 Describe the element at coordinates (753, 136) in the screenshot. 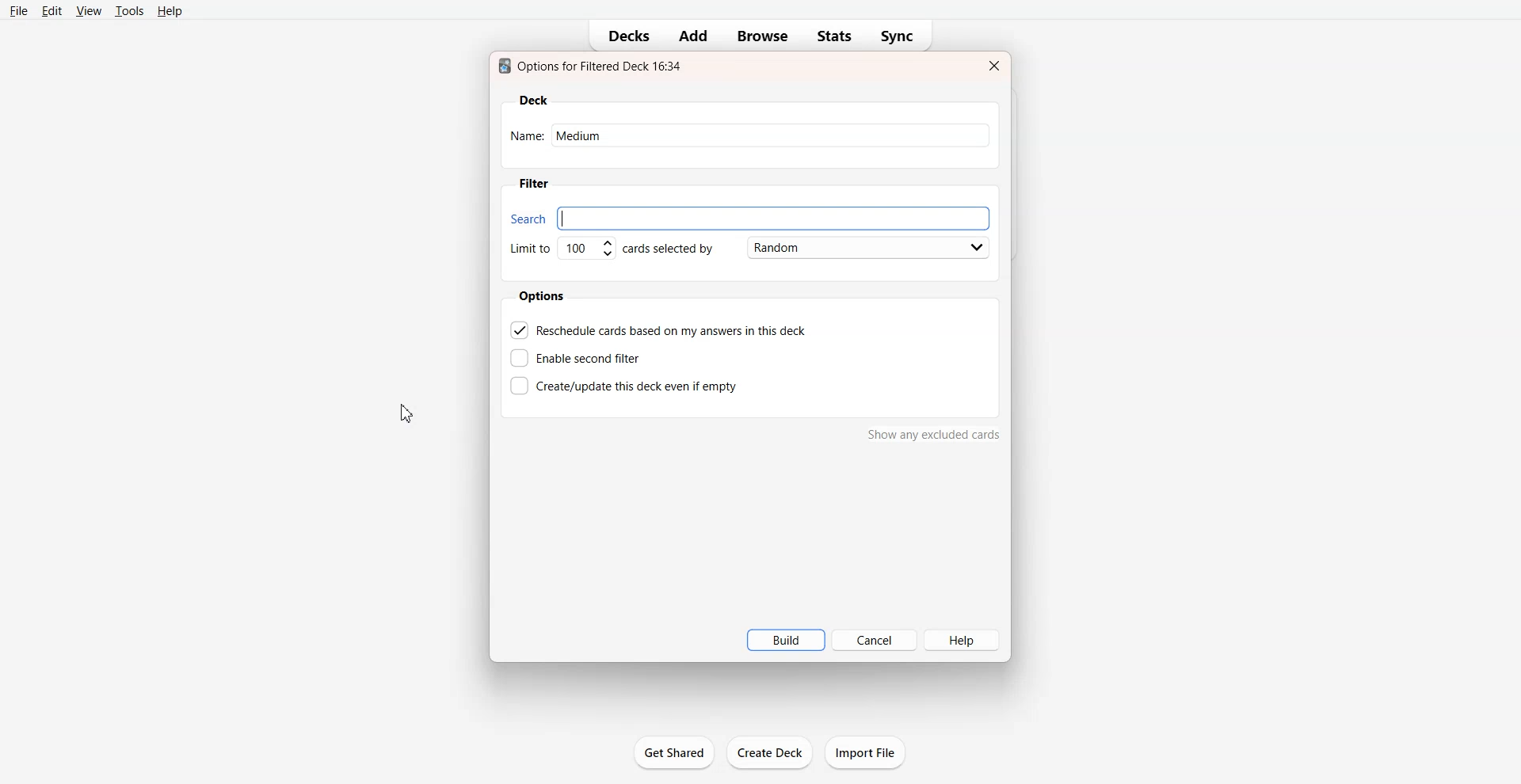

I see `Name: hard` at that location.